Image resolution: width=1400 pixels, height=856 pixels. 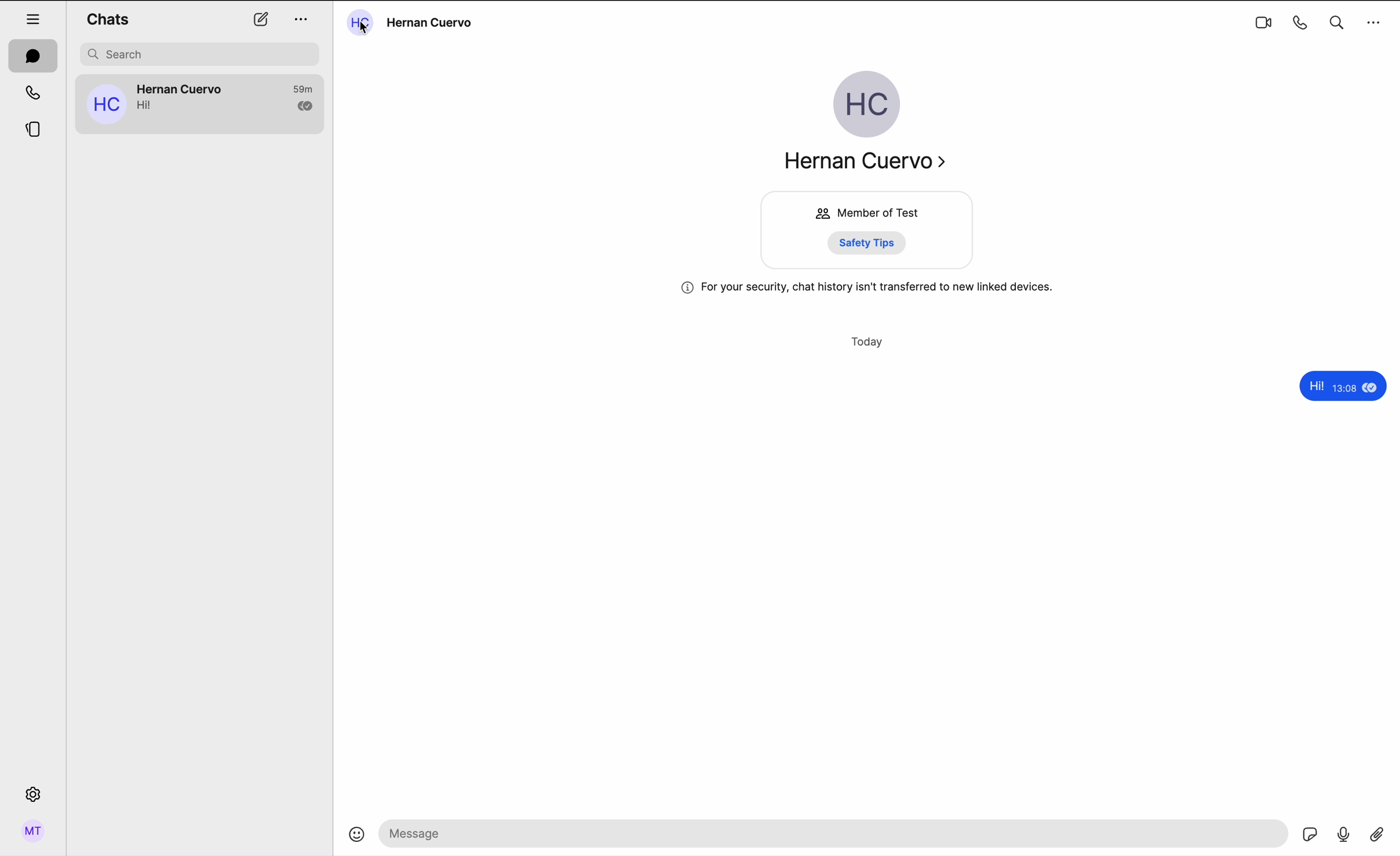 I want to click on videocall, so click(x=1264, y=22).